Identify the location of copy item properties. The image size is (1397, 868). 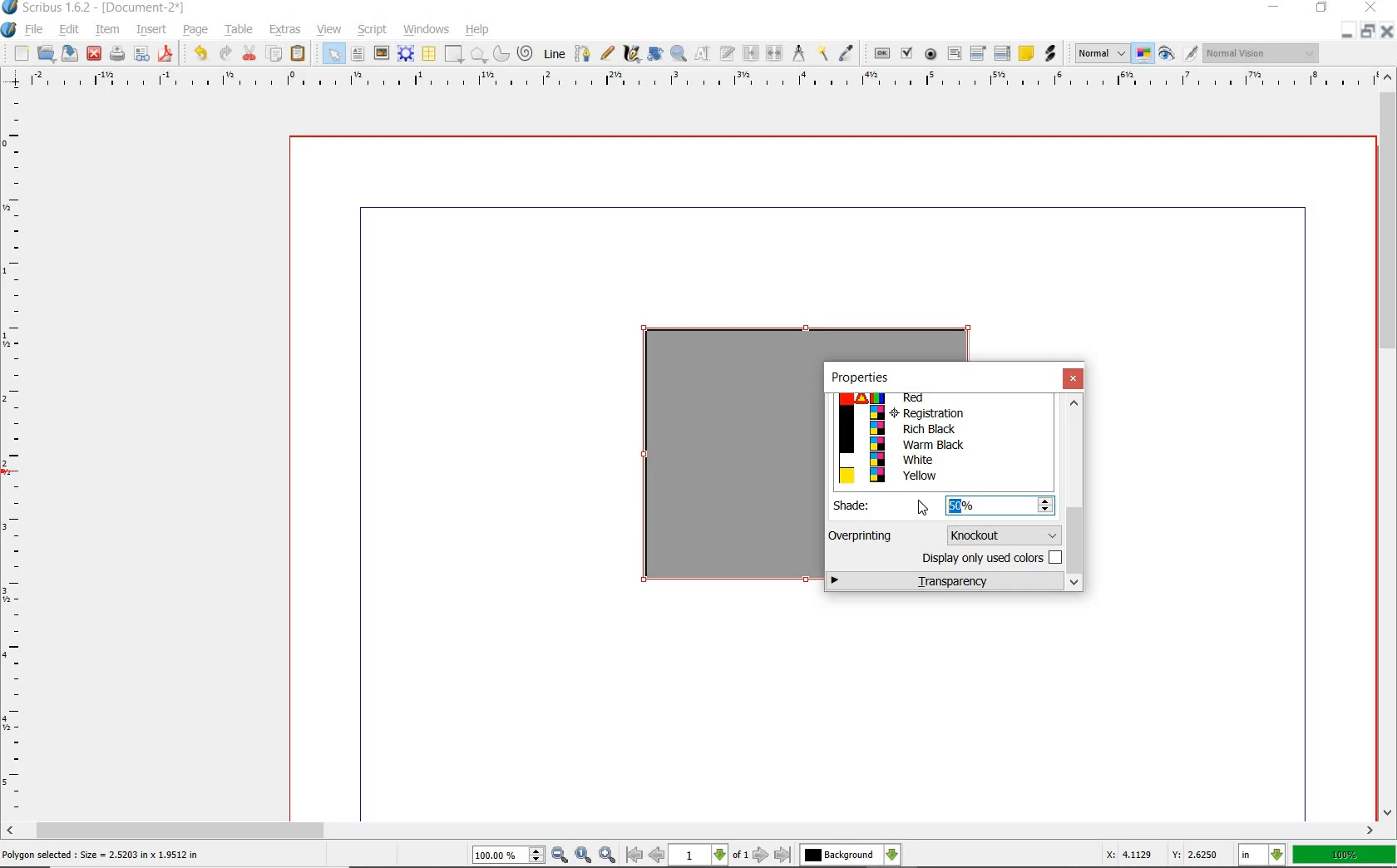
(822, 56).